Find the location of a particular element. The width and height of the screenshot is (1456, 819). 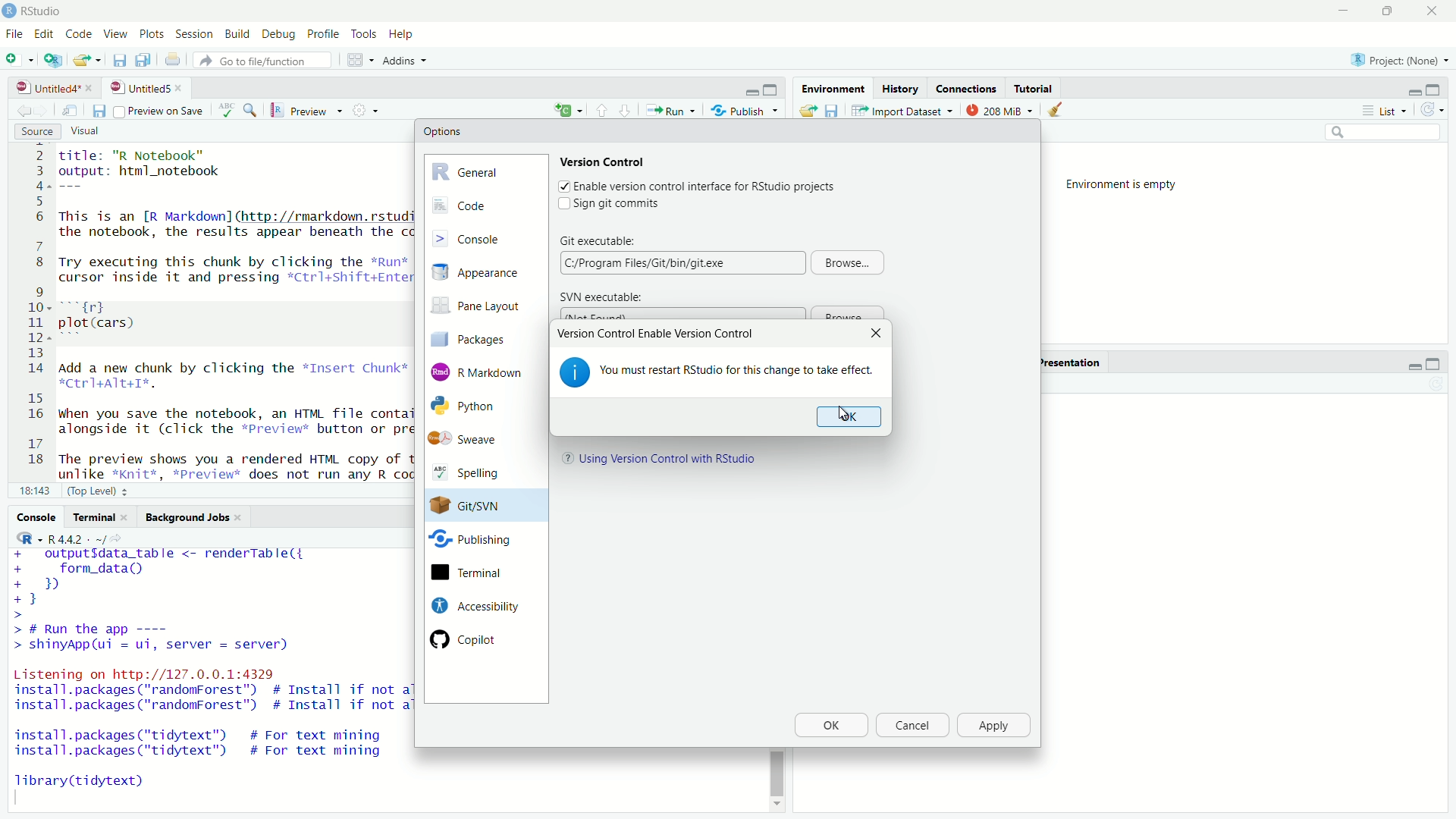

Version Control is located at coordinates (604, 161).